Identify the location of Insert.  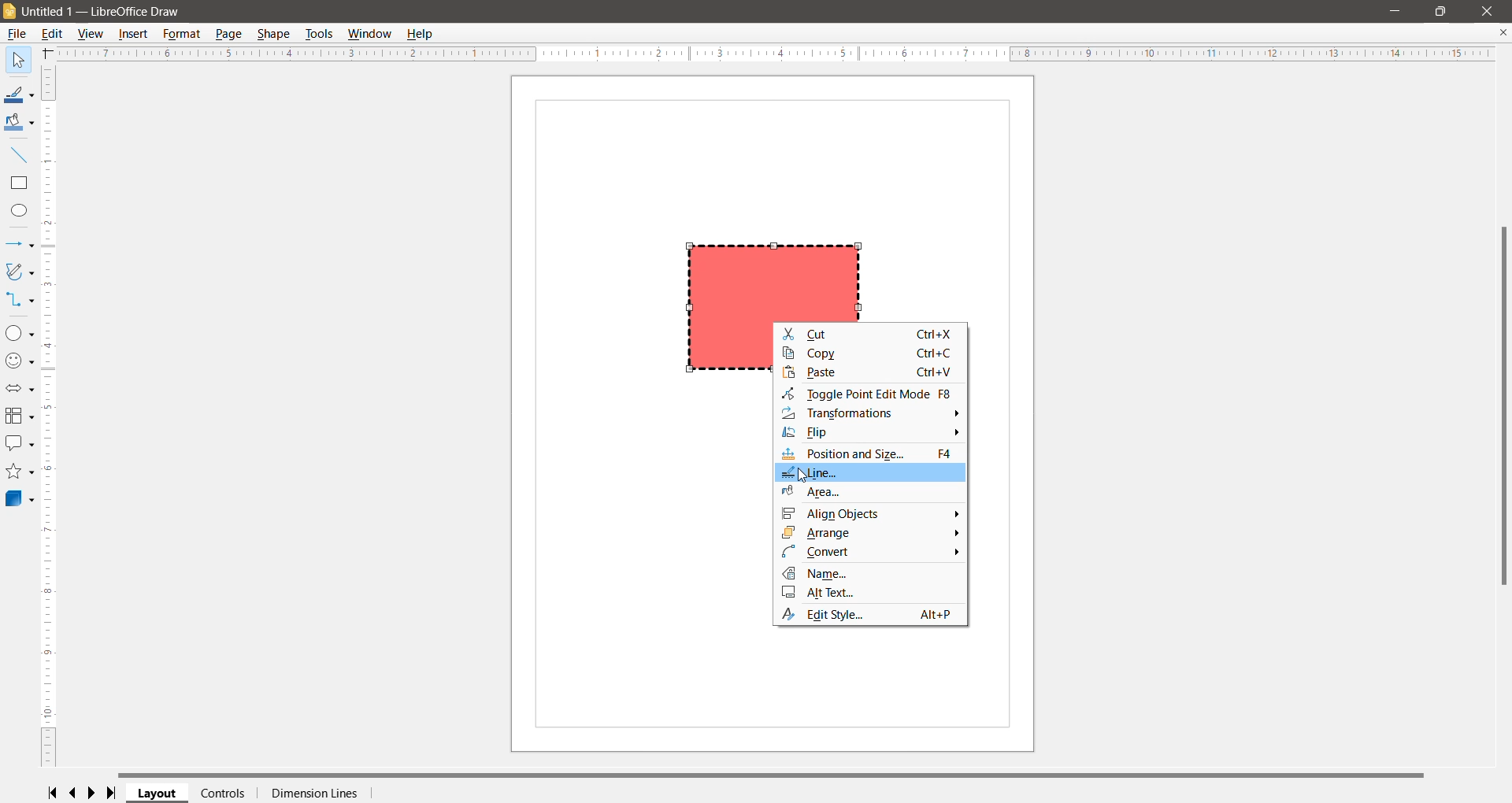
(135, 33).